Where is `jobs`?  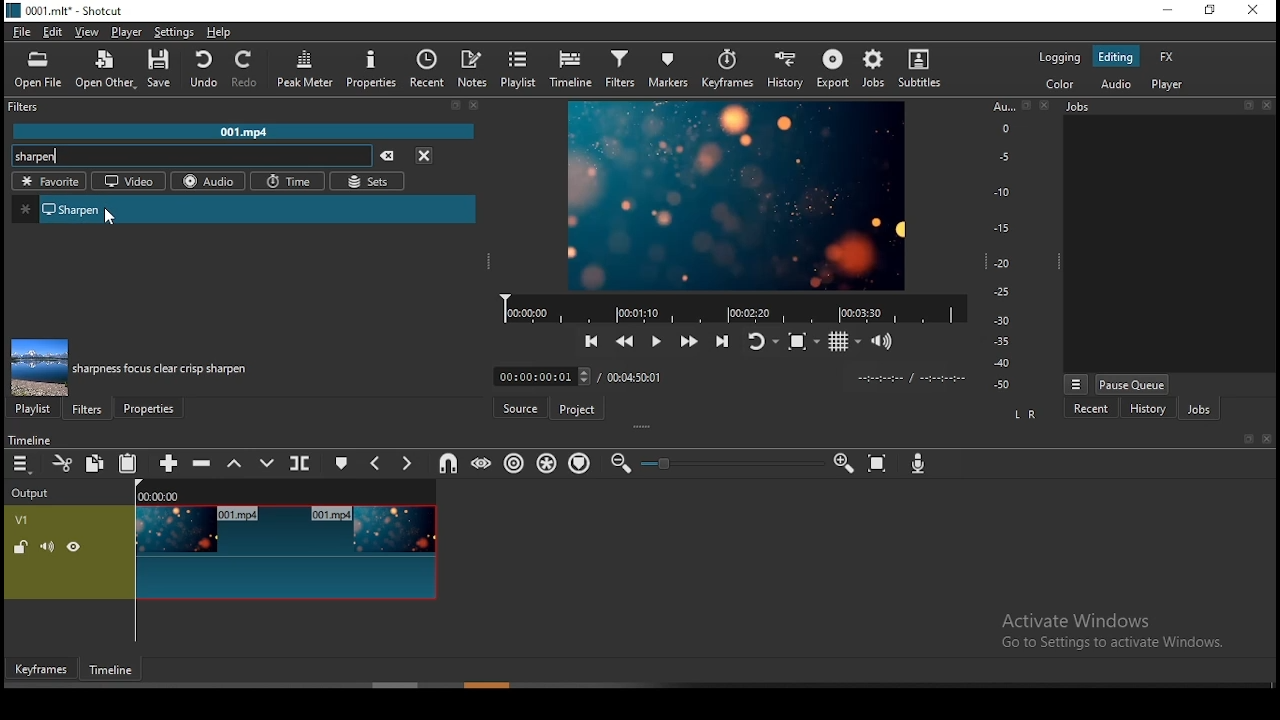
jobs is located at coordinates (1203, 409).